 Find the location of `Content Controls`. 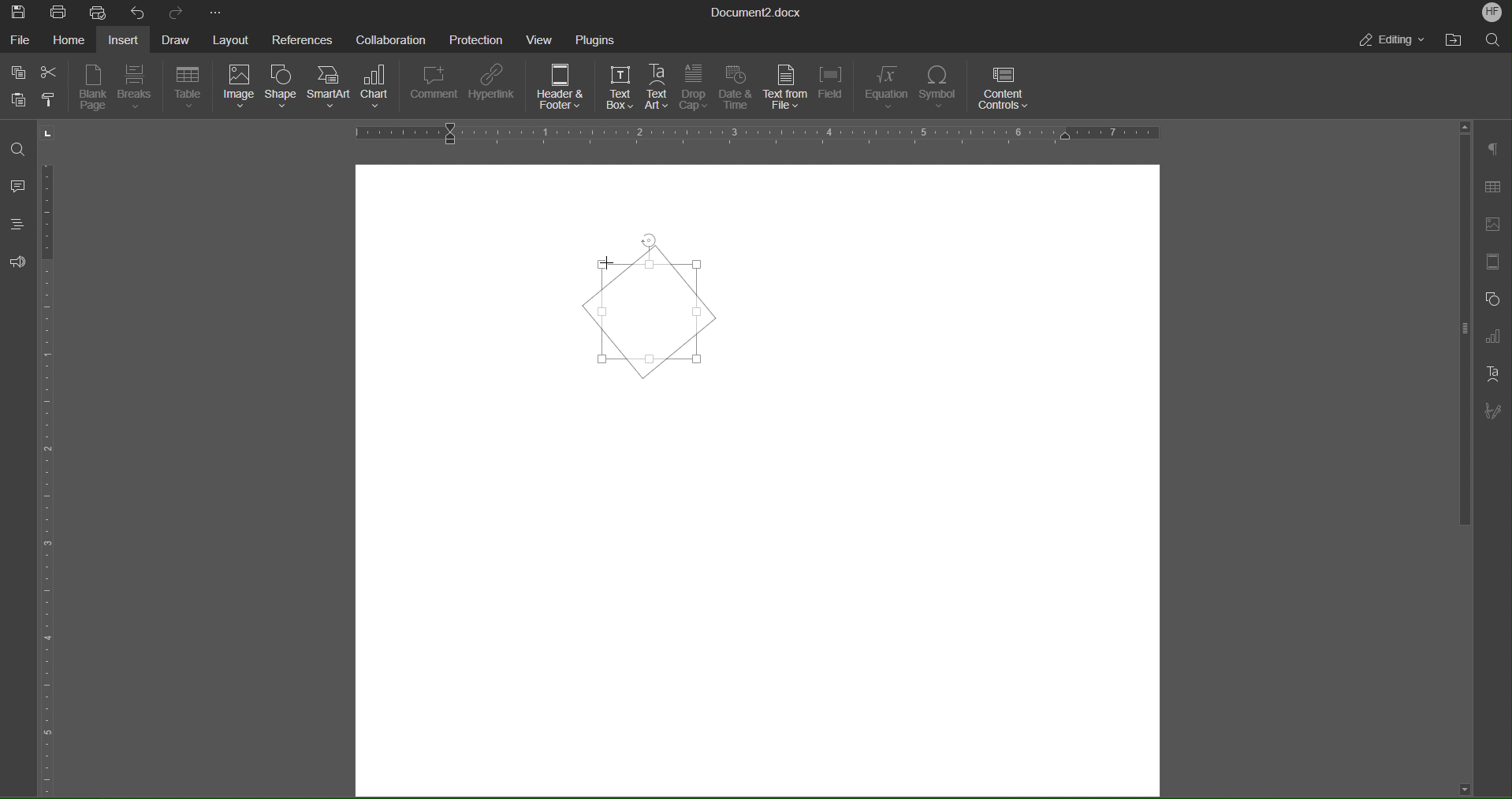

Content Controls is located at coordinates (1005, 87).